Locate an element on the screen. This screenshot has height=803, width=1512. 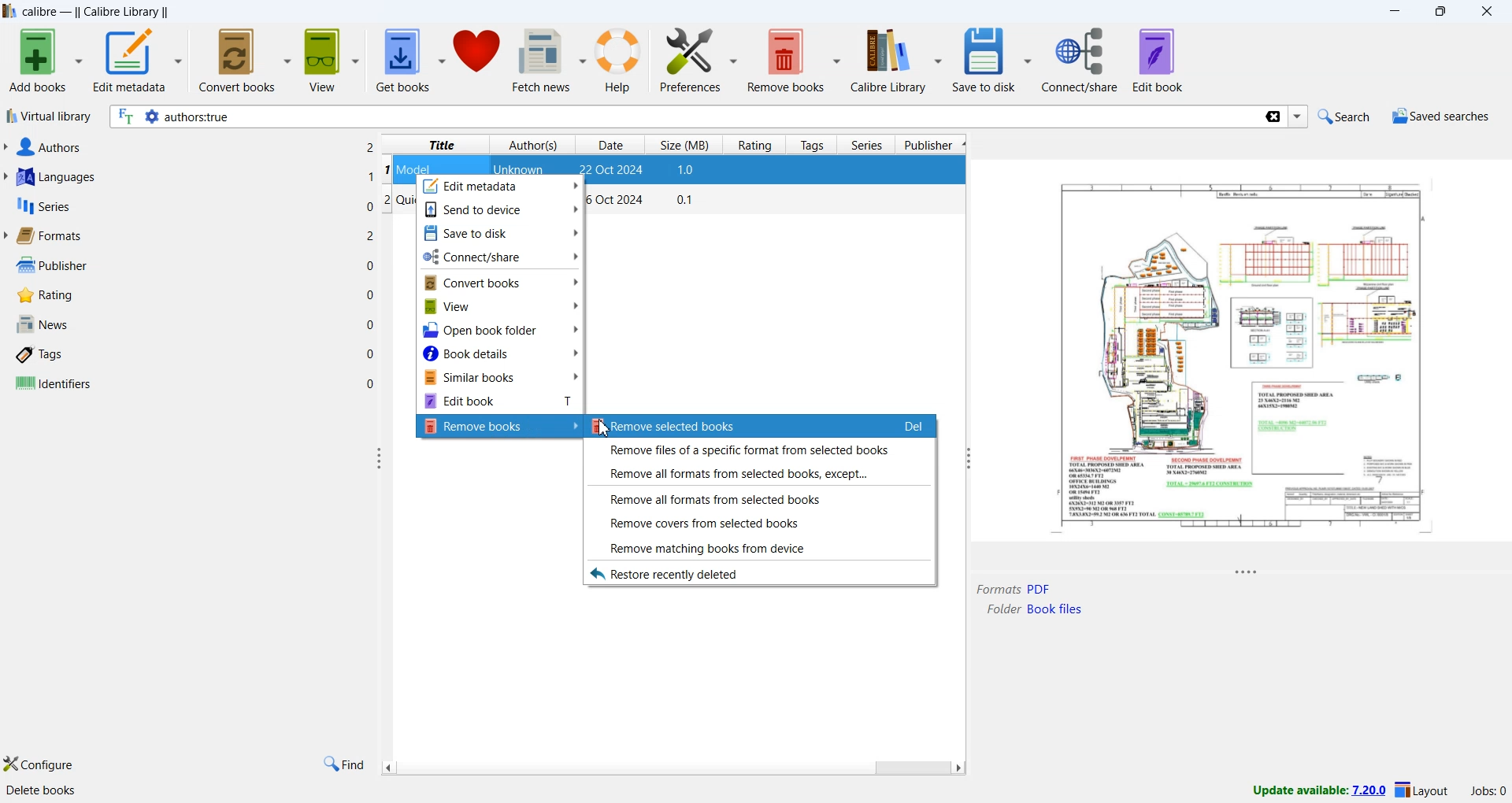
Dropdown is located at coordinates (1299, 117).